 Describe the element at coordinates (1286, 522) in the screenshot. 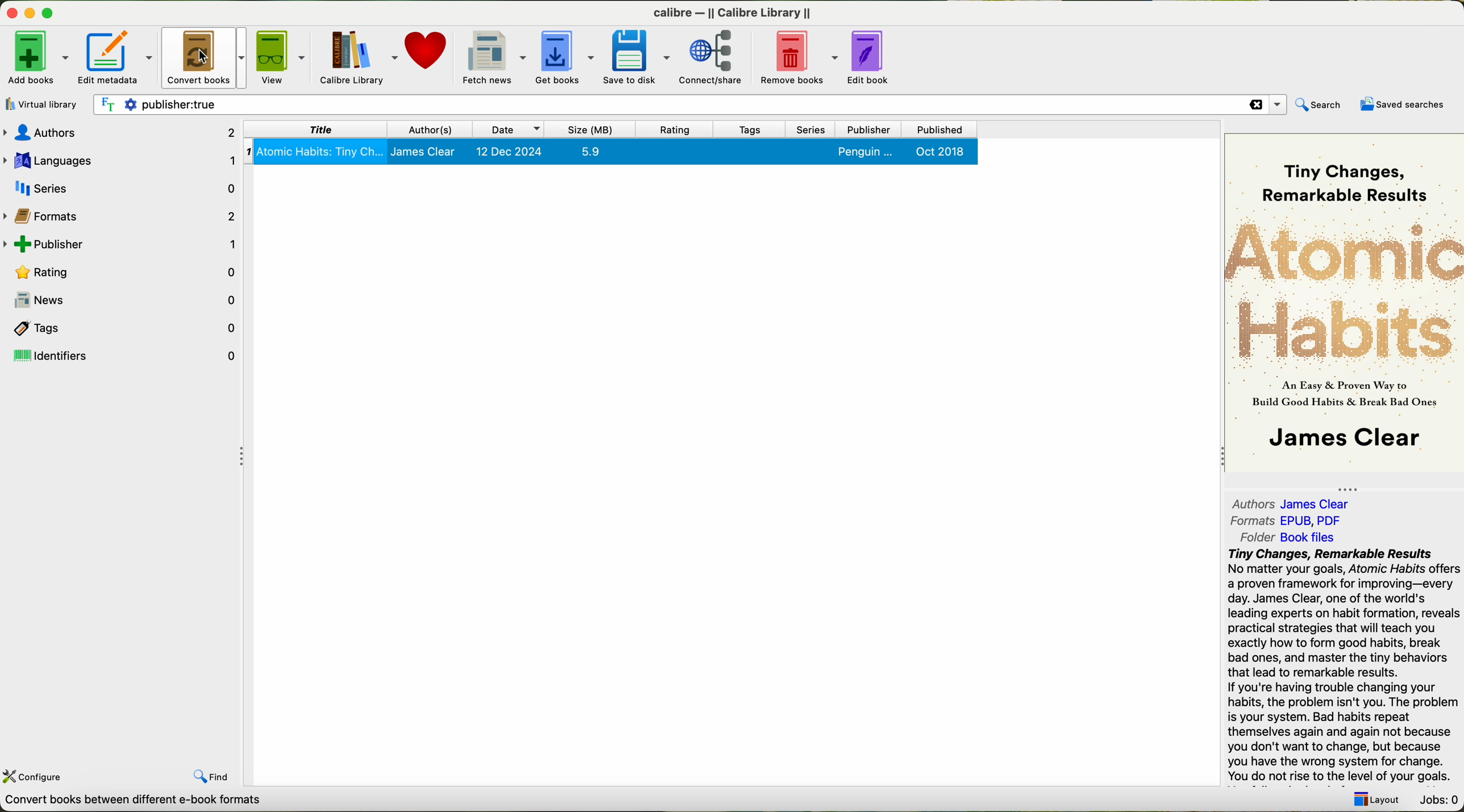

I see `formats` at that location.